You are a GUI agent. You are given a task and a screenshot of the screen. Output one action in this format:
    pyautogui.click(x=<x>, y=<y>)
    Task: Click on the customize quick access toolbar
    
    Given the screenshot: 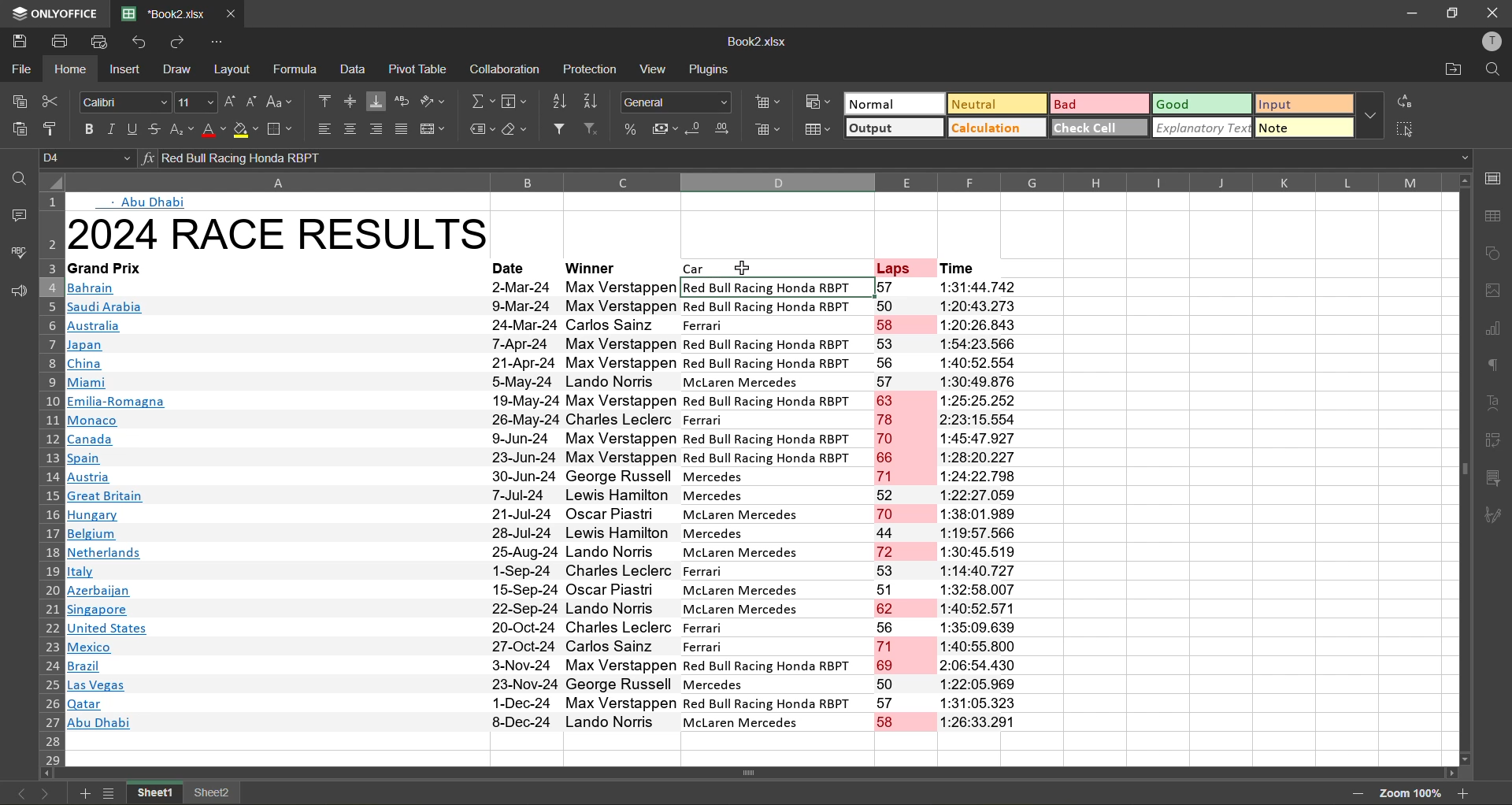 What is the action you would take?
    pyautogui.click(x=217, y=42)
    